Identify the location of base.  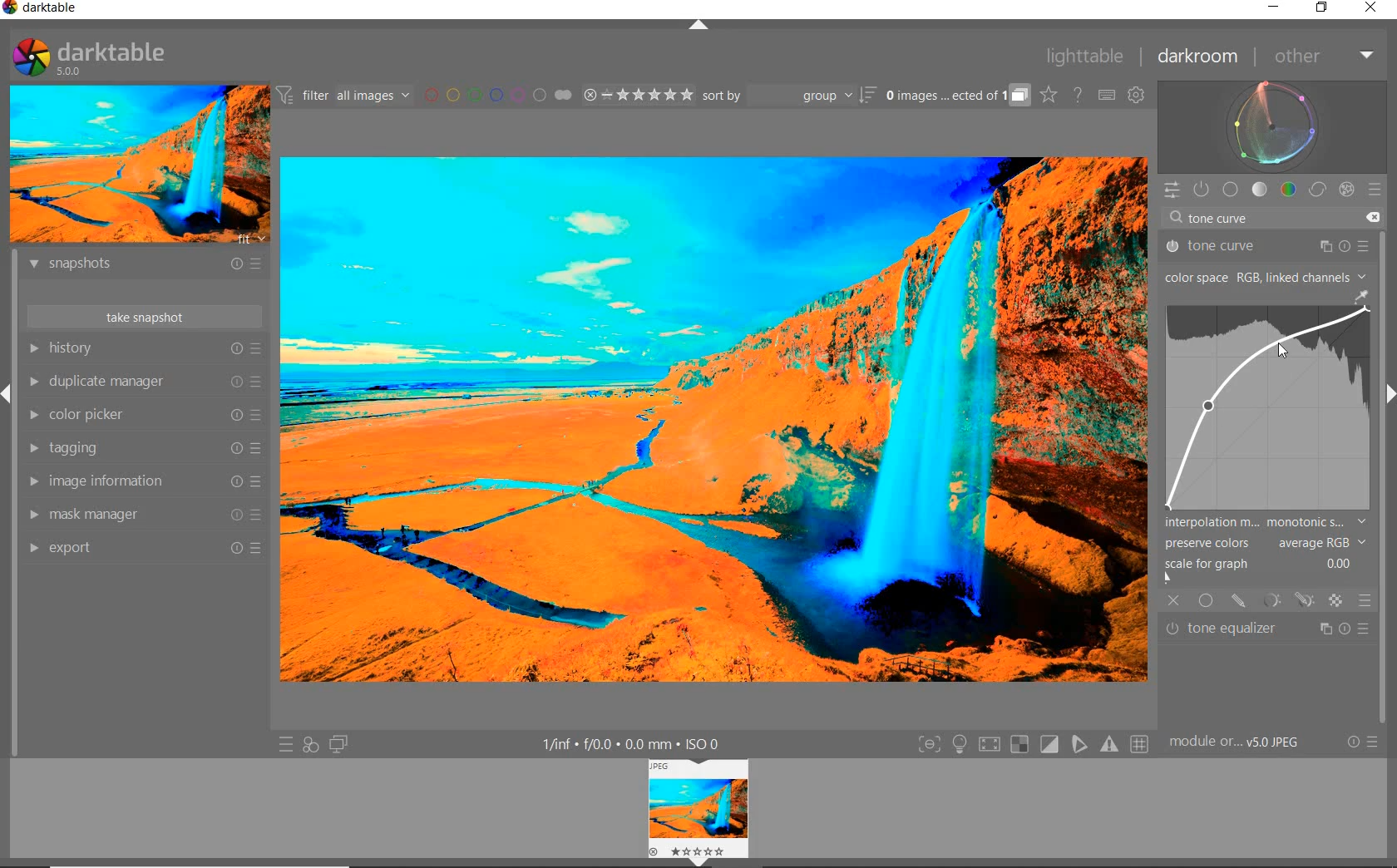
(1232, 189).